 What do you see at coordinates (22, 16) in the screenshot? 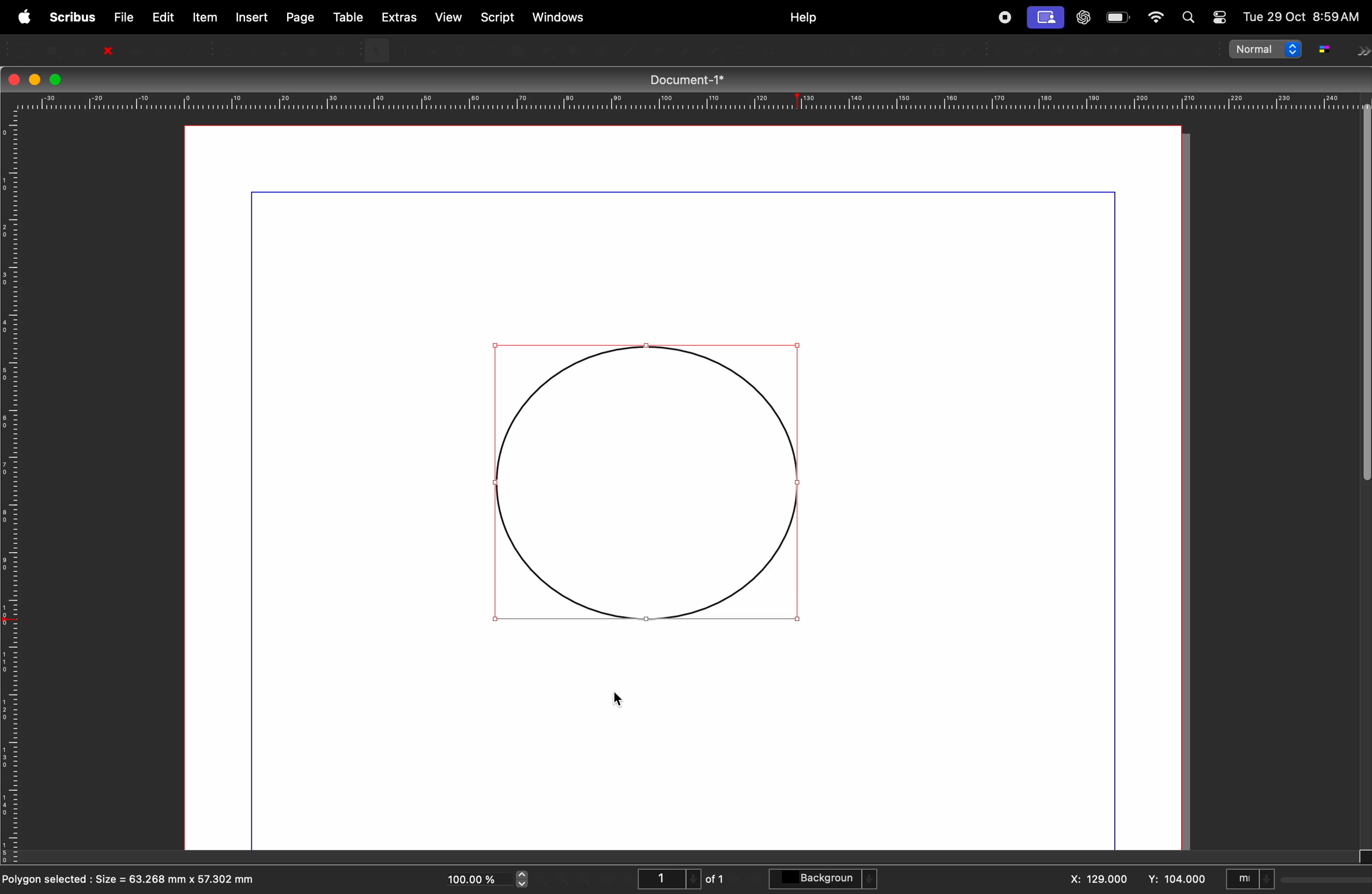
I see `apple menu` at bounding box center [22, 16].